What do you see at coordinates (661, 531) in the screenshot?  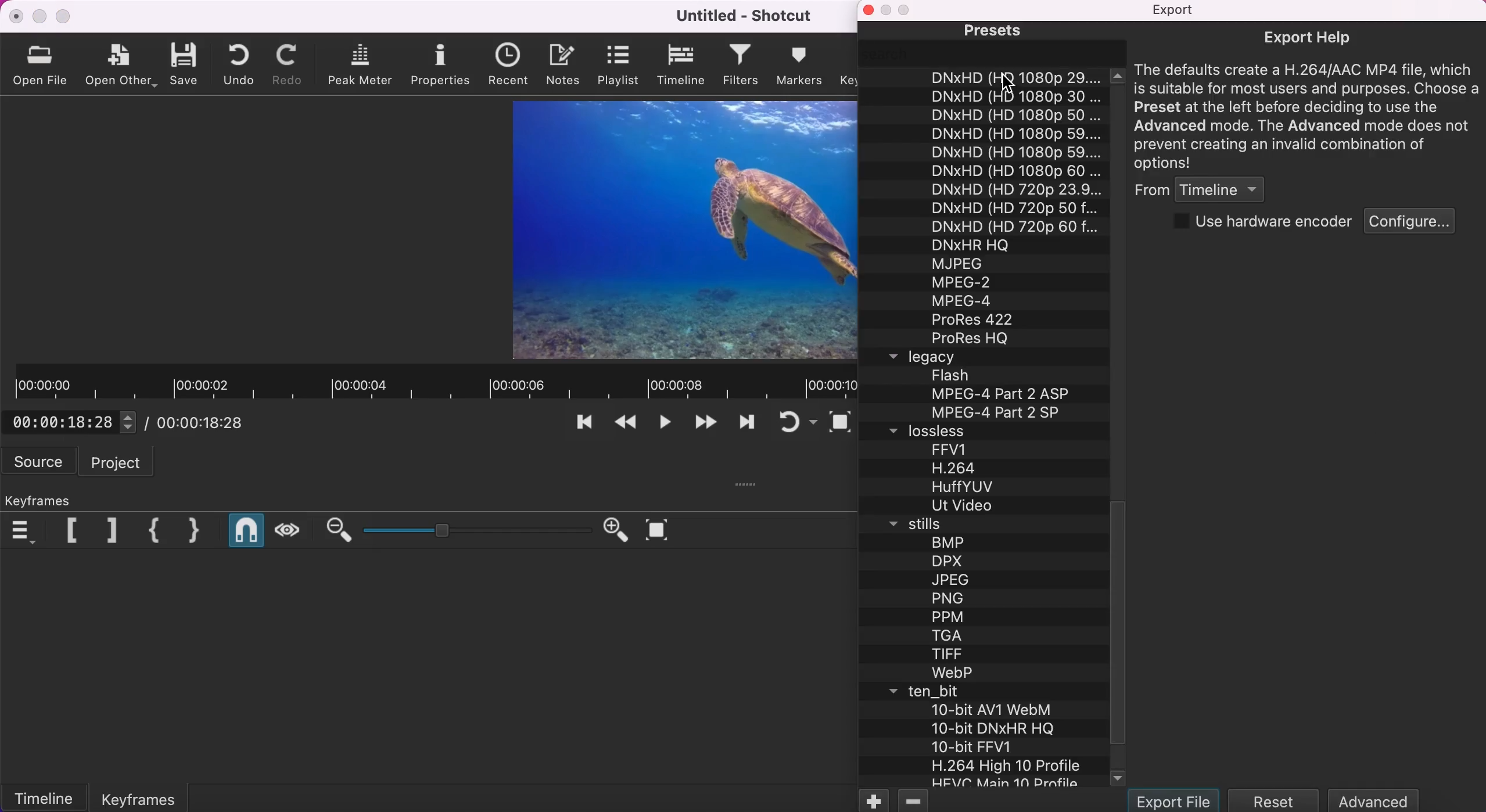 I see `zoom timeline to fit` at bounding box center [661, 531].